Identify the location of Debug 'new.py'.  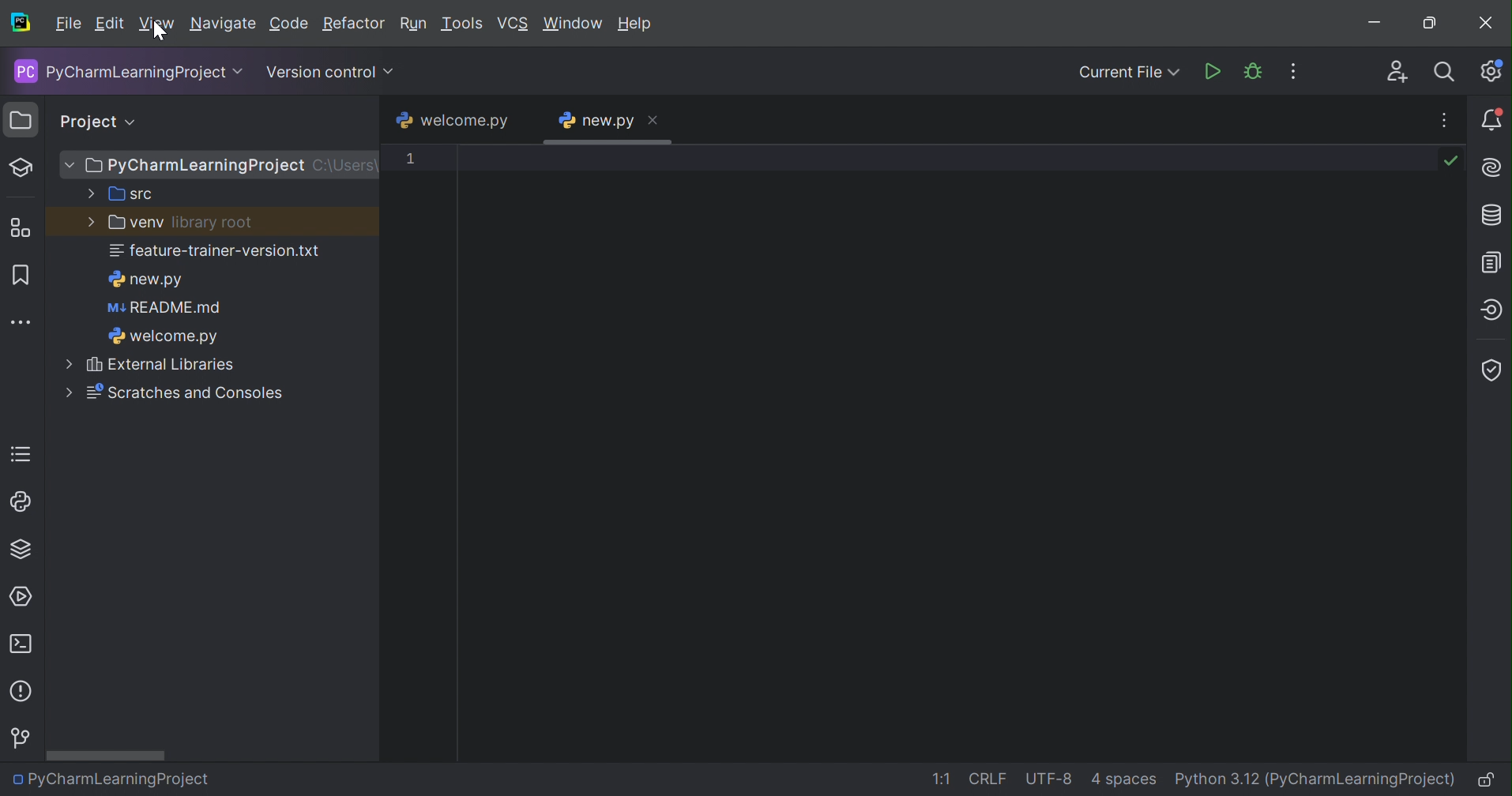
(1254, 71).